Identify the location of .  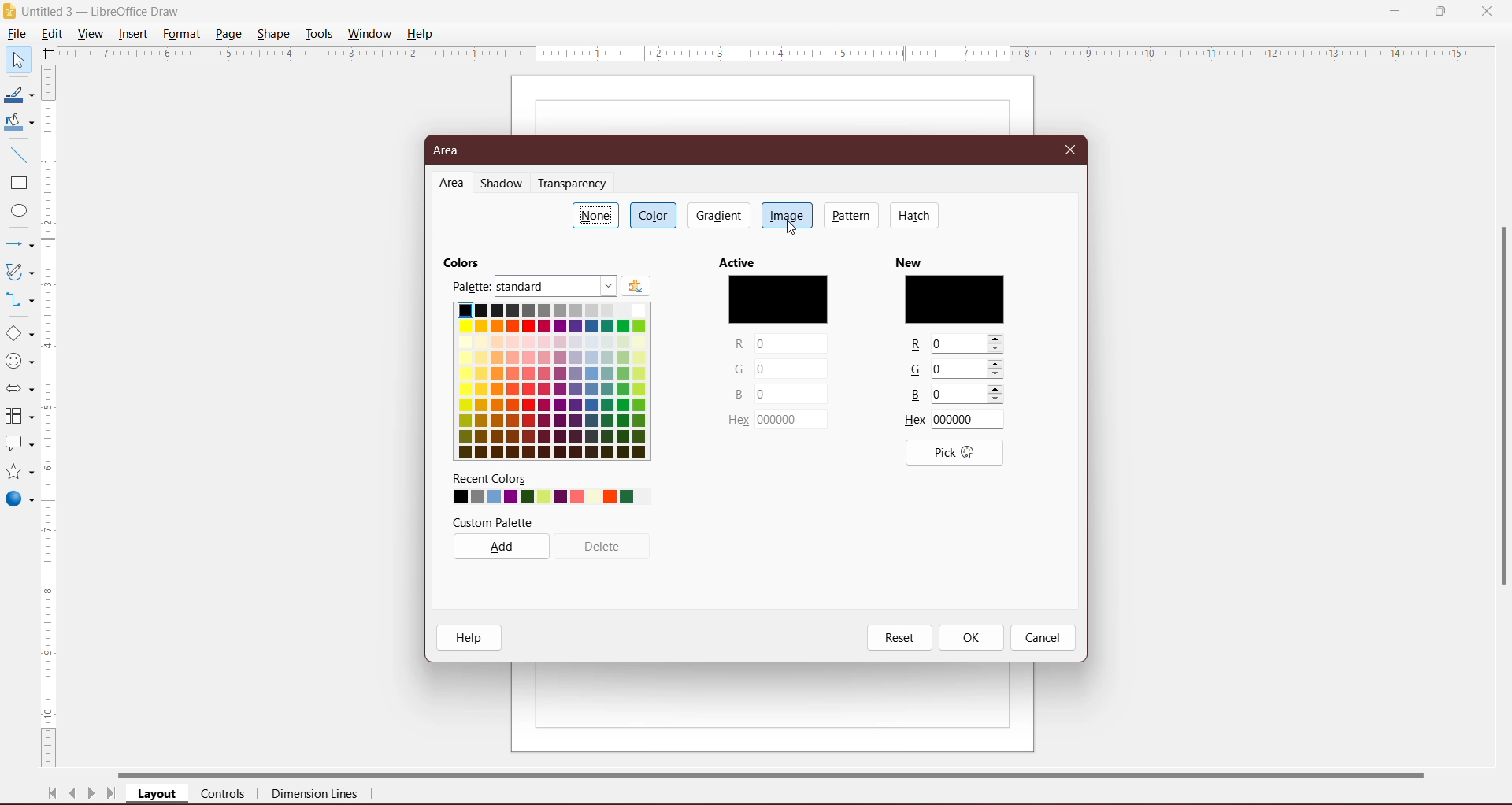
(915, 397).